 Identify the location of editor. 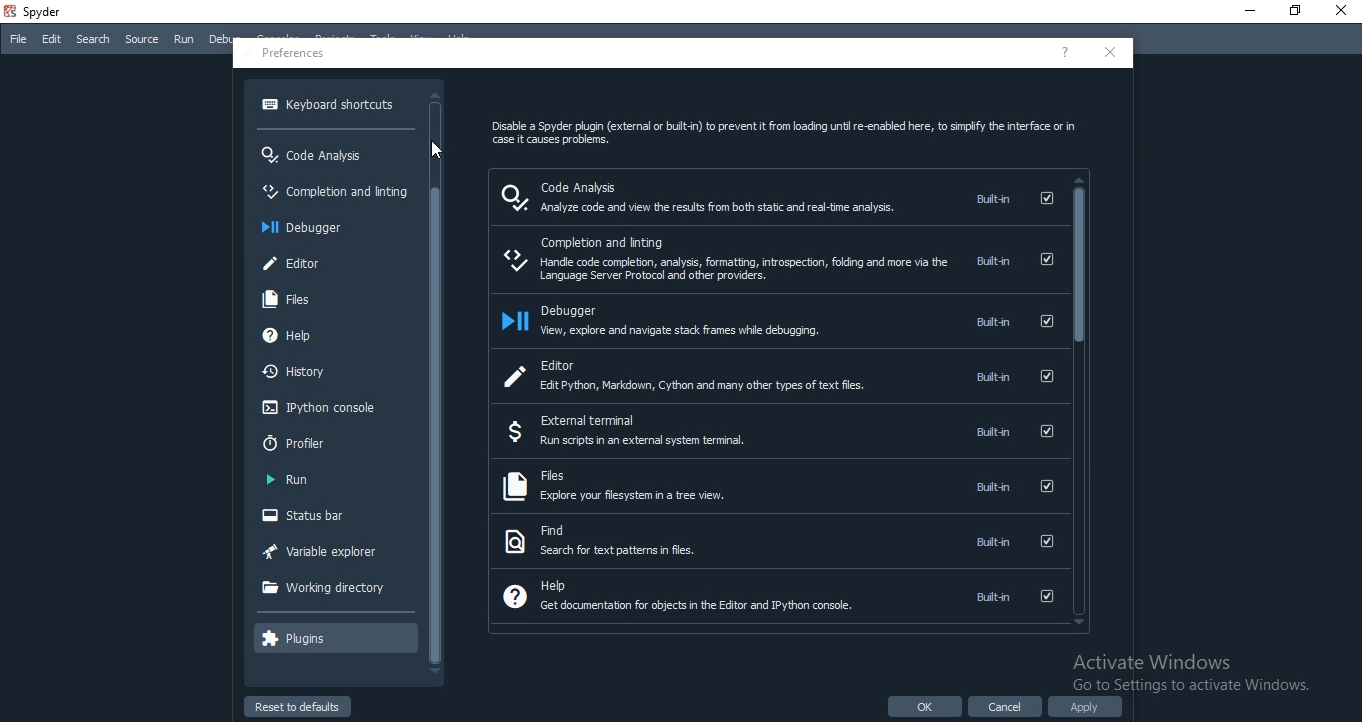
(334, 263).